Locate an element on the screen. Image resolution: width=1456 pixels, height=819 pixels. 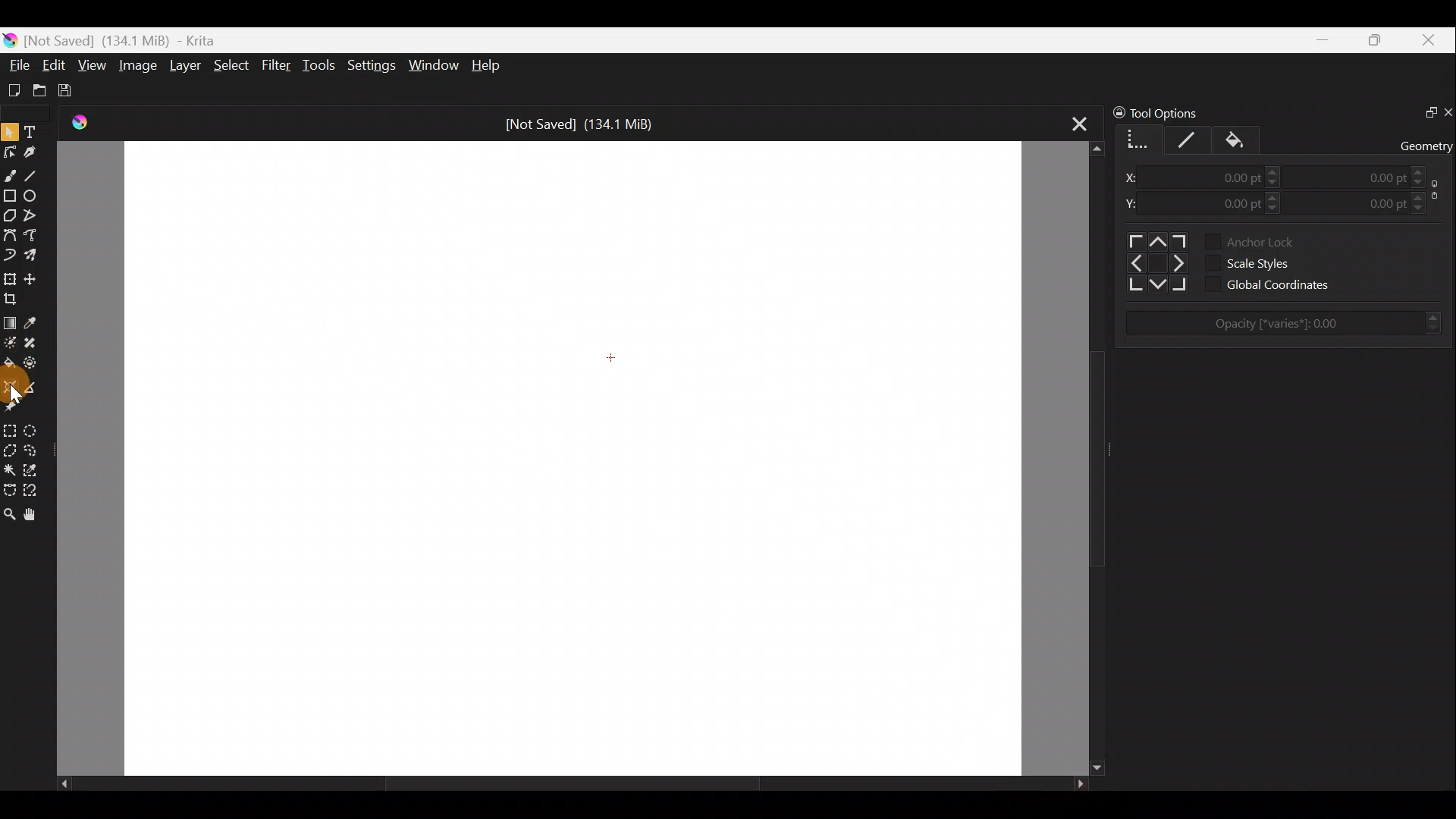
Increase is located at coordinates (1270, 169).